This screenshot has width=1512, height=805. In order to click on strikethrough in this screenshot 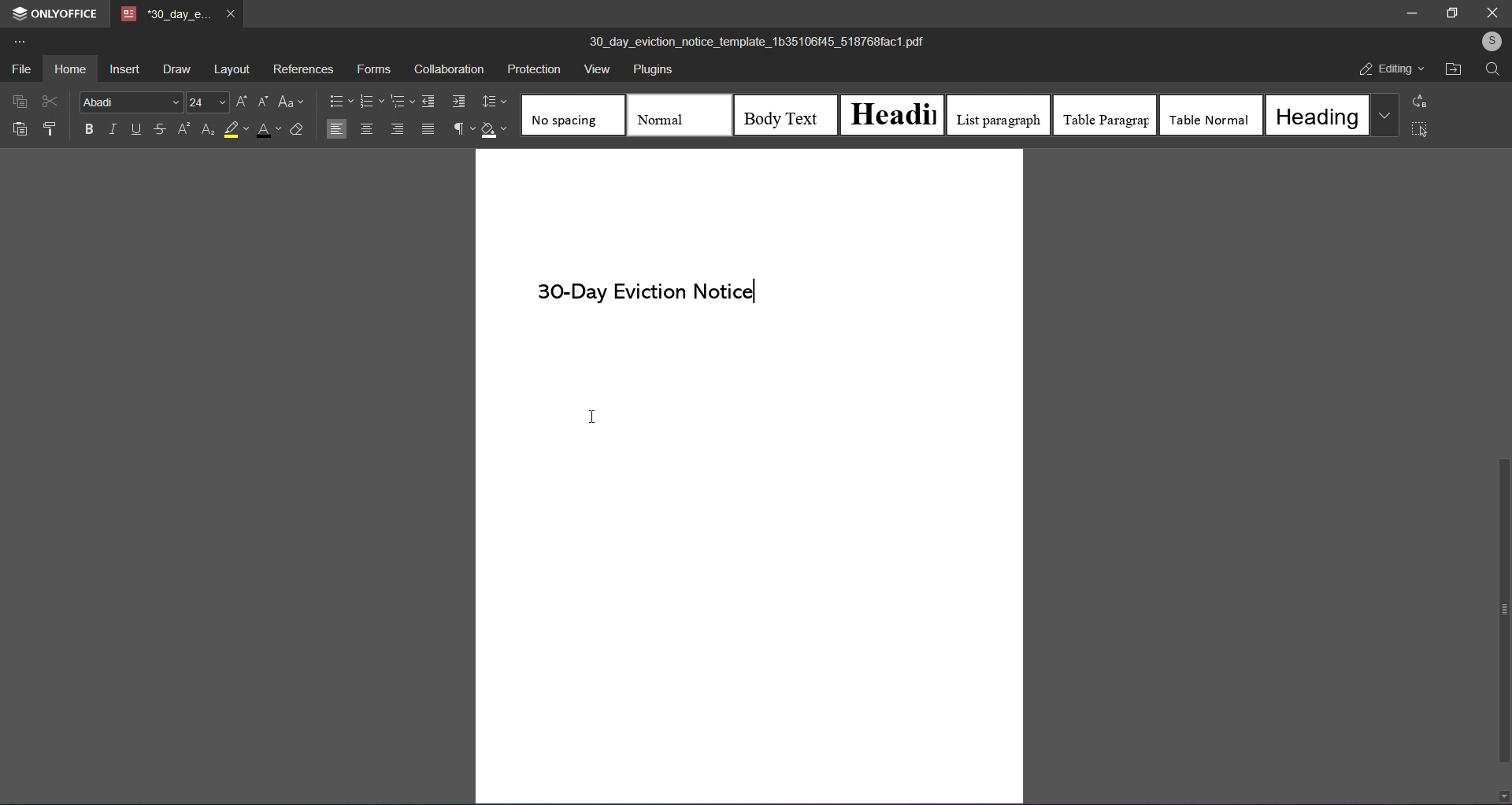, I will do `click(161, 130)`.